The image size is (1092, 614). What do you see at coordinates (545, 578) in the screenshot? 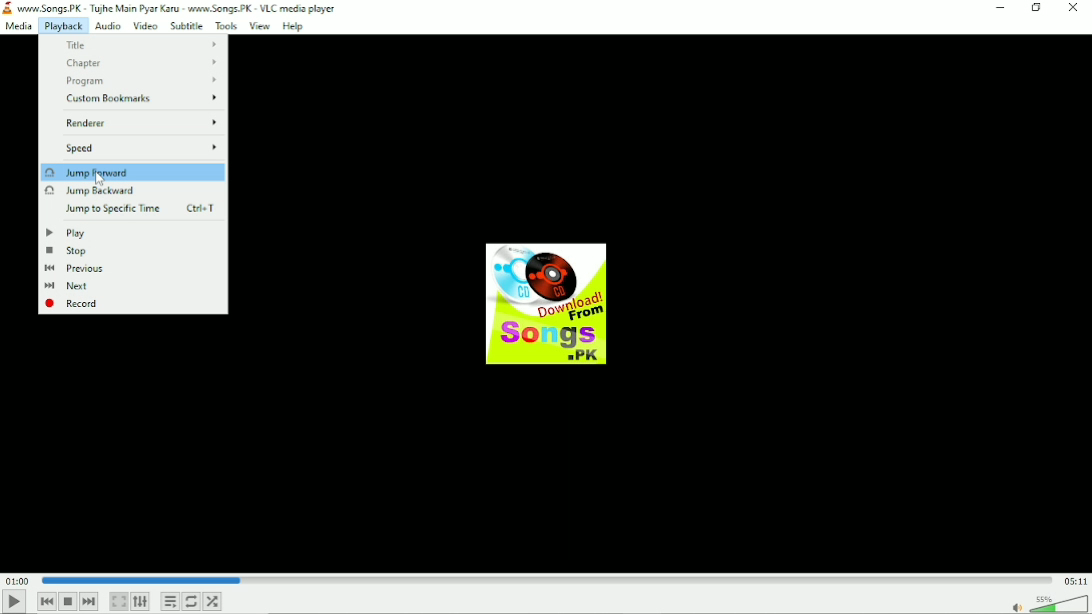
I see `Play duration` at bounding box center [545, 578].